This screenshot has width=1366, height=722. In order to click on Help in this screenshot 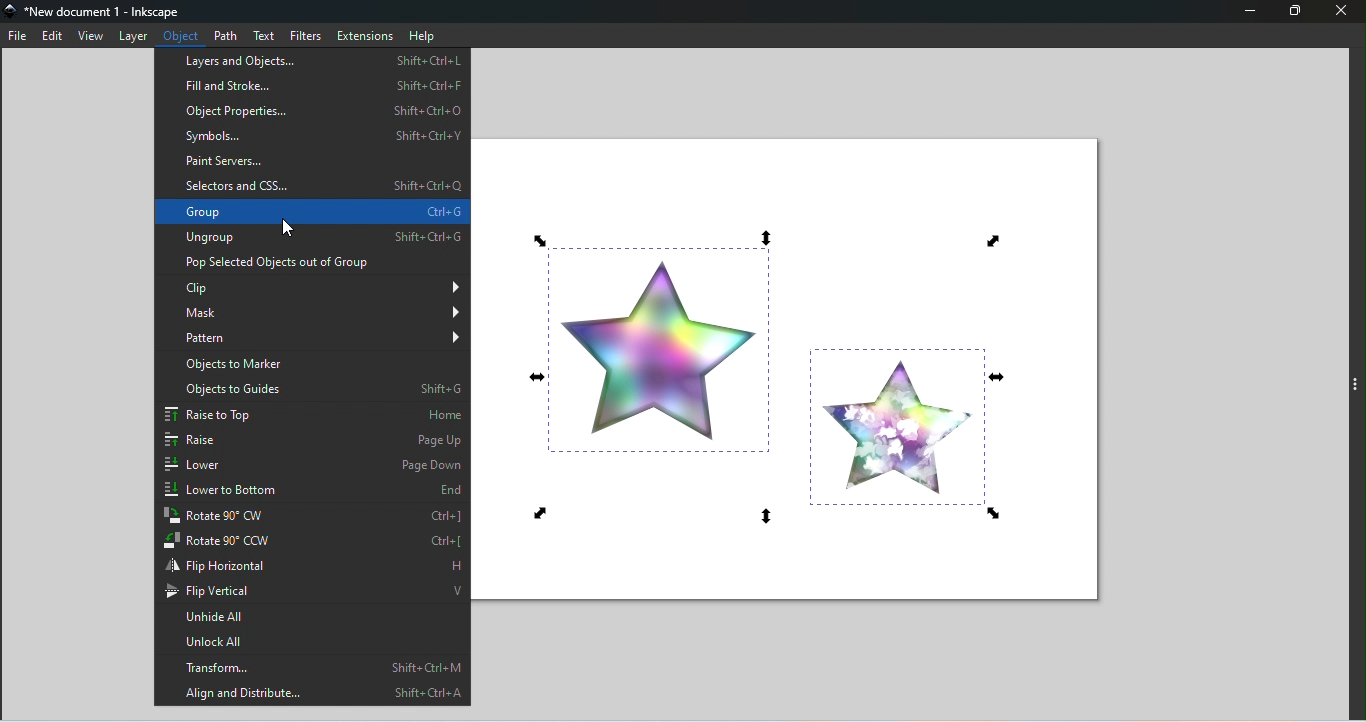, I will do `click(425, 35)`.